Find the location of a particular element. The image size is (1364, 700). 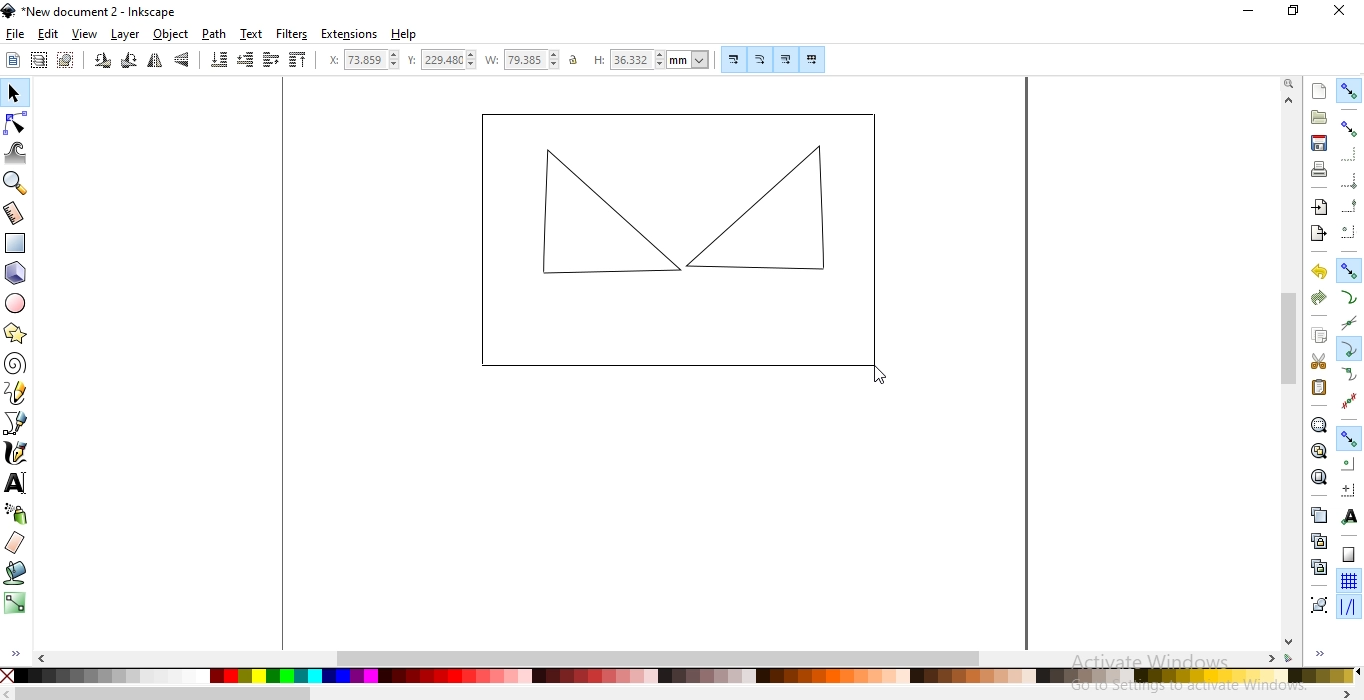

snap midpoints of line segments is located at coordinates (1350, 402).